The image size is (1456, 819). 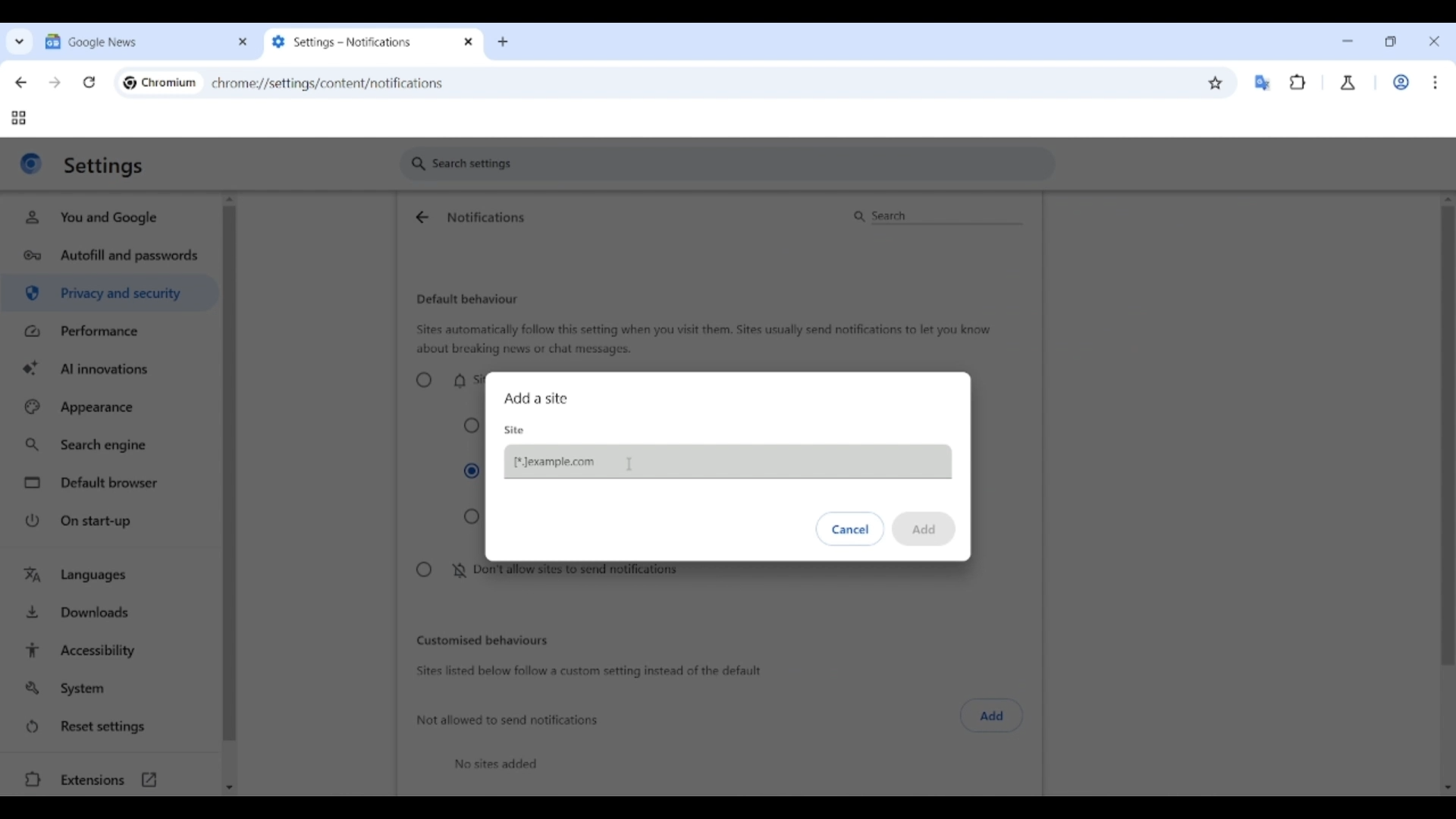 What do you see at coordinates (55, 83) in the screenshot?
I see `Go forward` at bounding box center [55, 83].